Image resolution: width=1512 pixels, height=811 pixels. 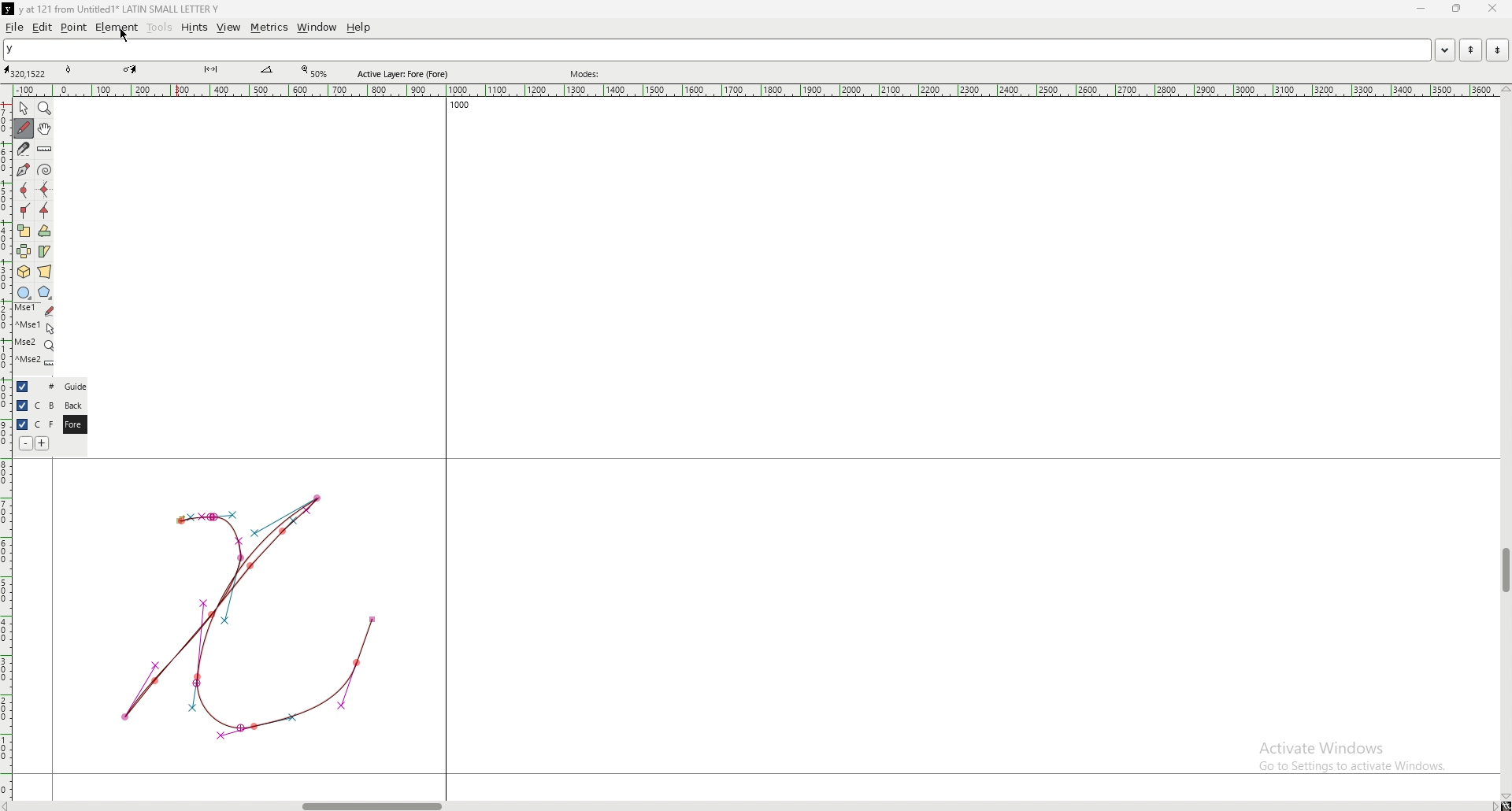 I want to click on rotate the selection in 3d, so click(x=24, y=272).